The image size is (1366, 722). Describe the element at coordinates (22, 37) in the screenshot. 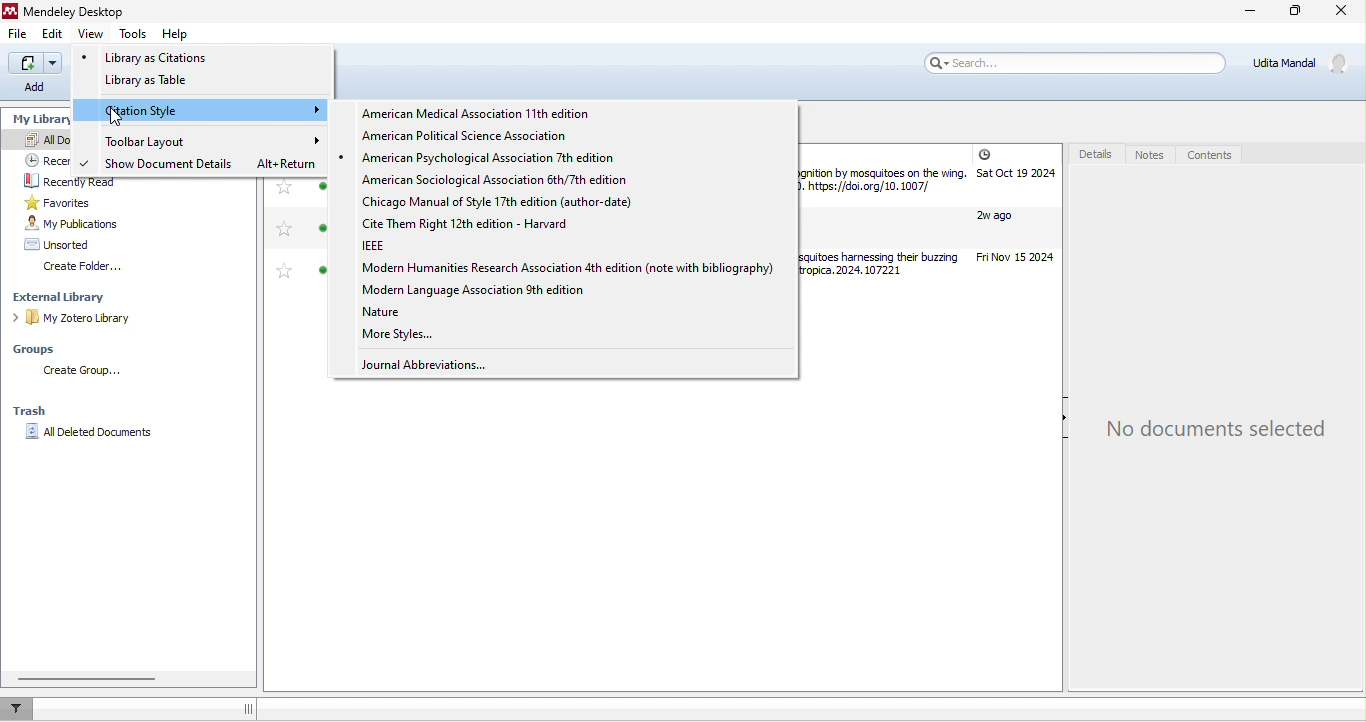

I see `file` at that location.